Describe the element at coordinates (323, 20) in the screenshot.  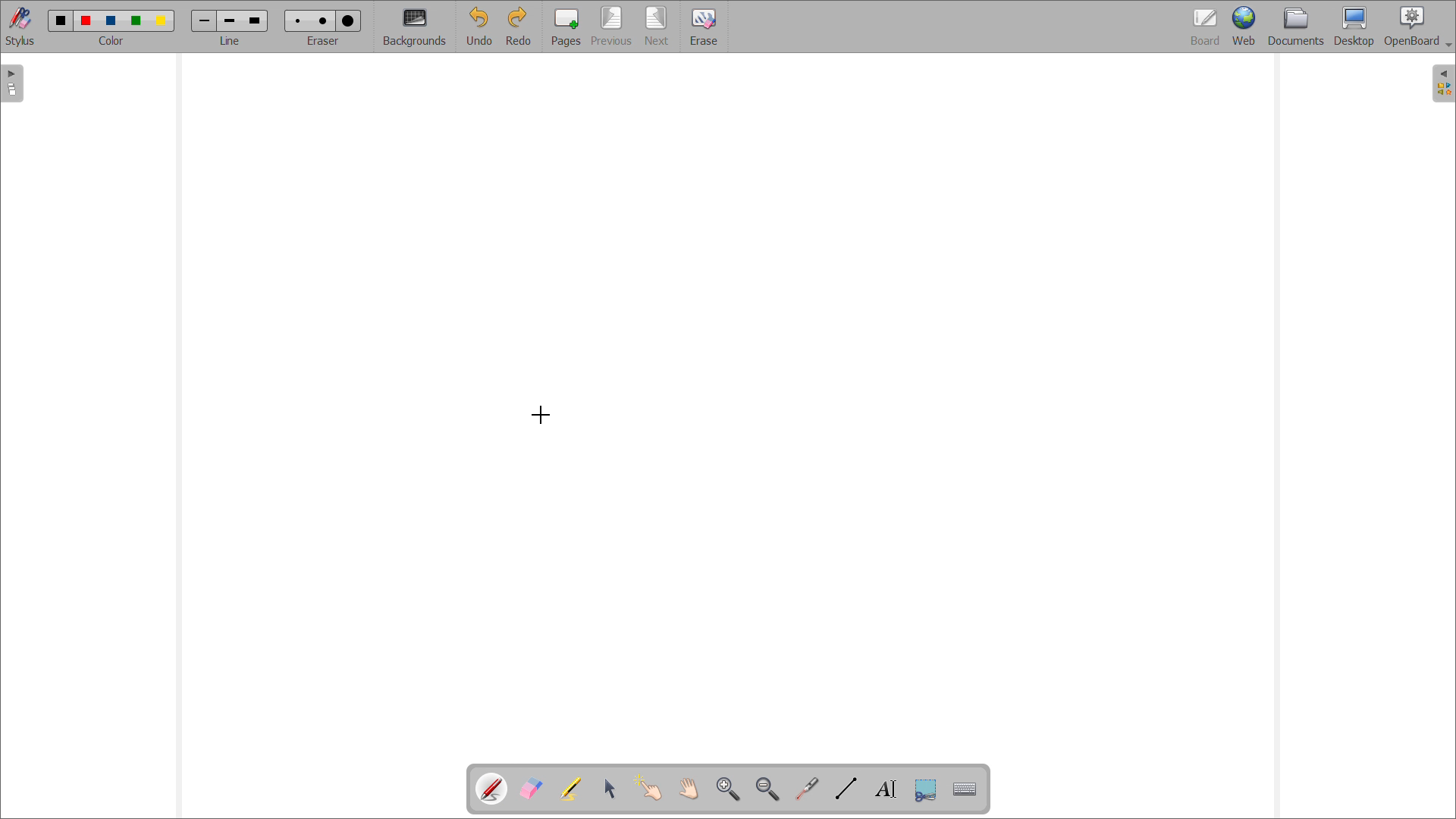
I see `Eraser size` at that location.